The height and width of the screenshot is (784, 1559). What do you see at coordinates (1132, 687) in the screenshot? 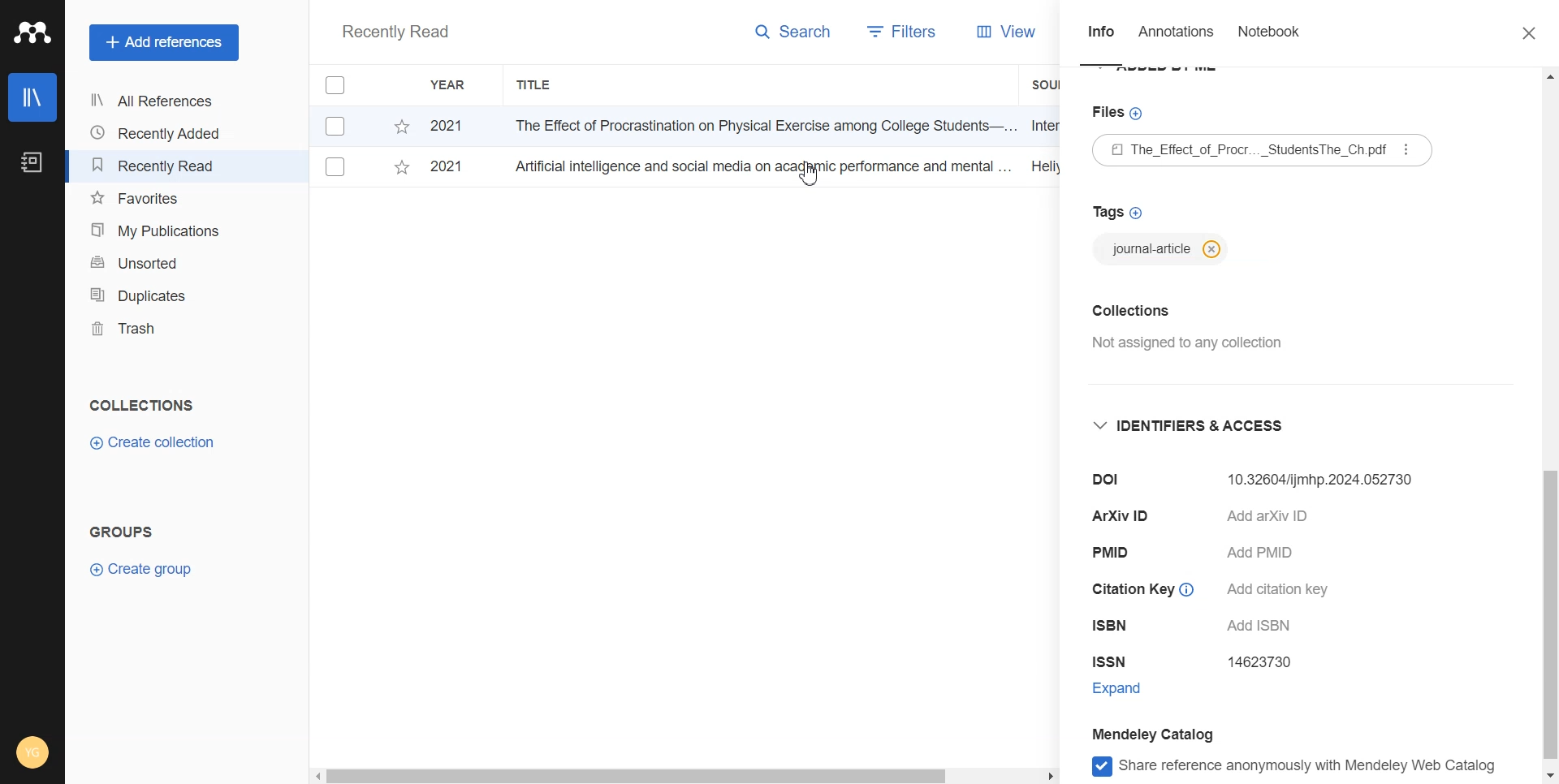
I see `Expand` at bounding box center [1132, 687].